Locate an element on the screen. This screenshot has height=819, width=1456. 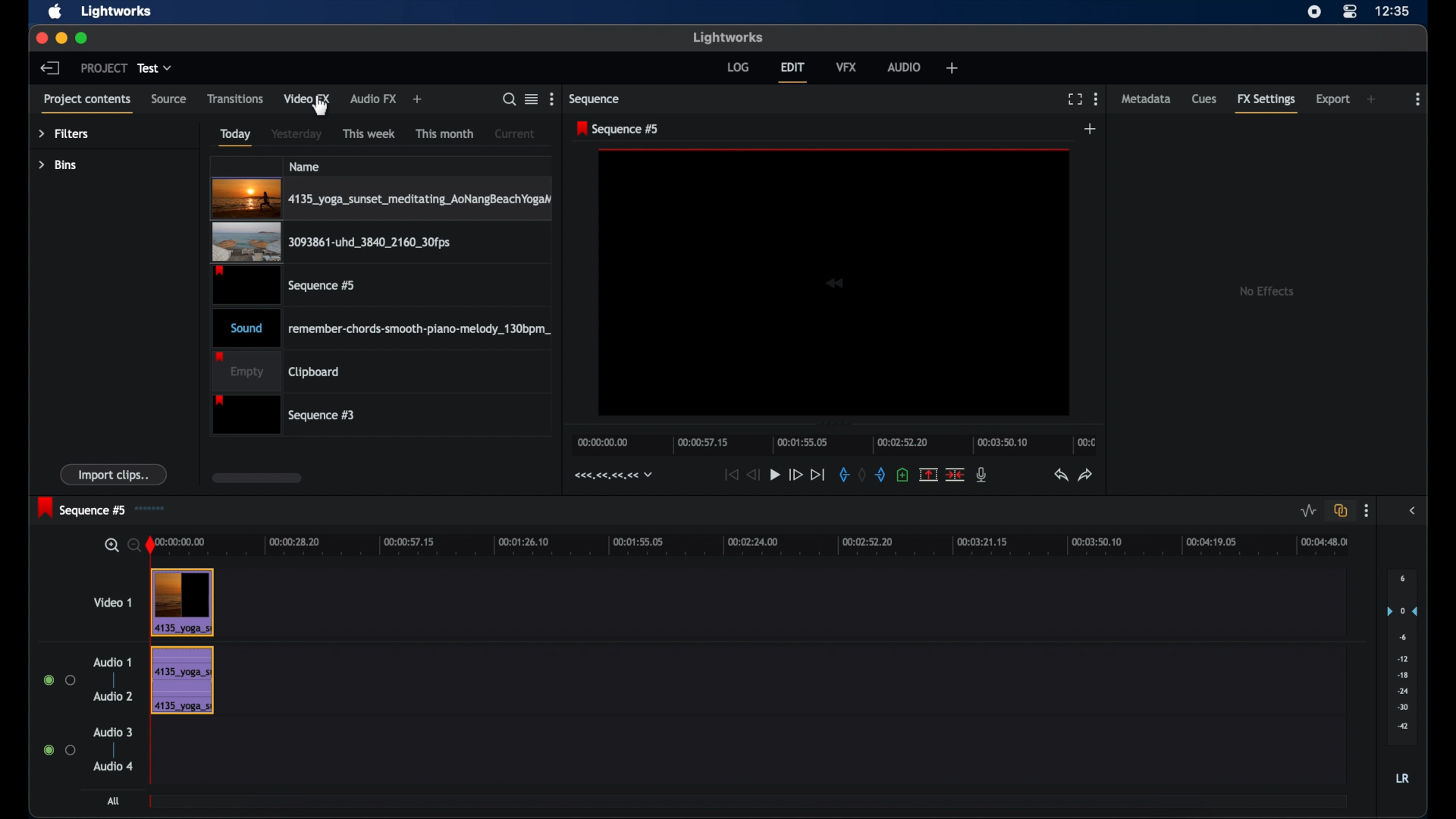
metadata is located at coordinates (1146, 98).